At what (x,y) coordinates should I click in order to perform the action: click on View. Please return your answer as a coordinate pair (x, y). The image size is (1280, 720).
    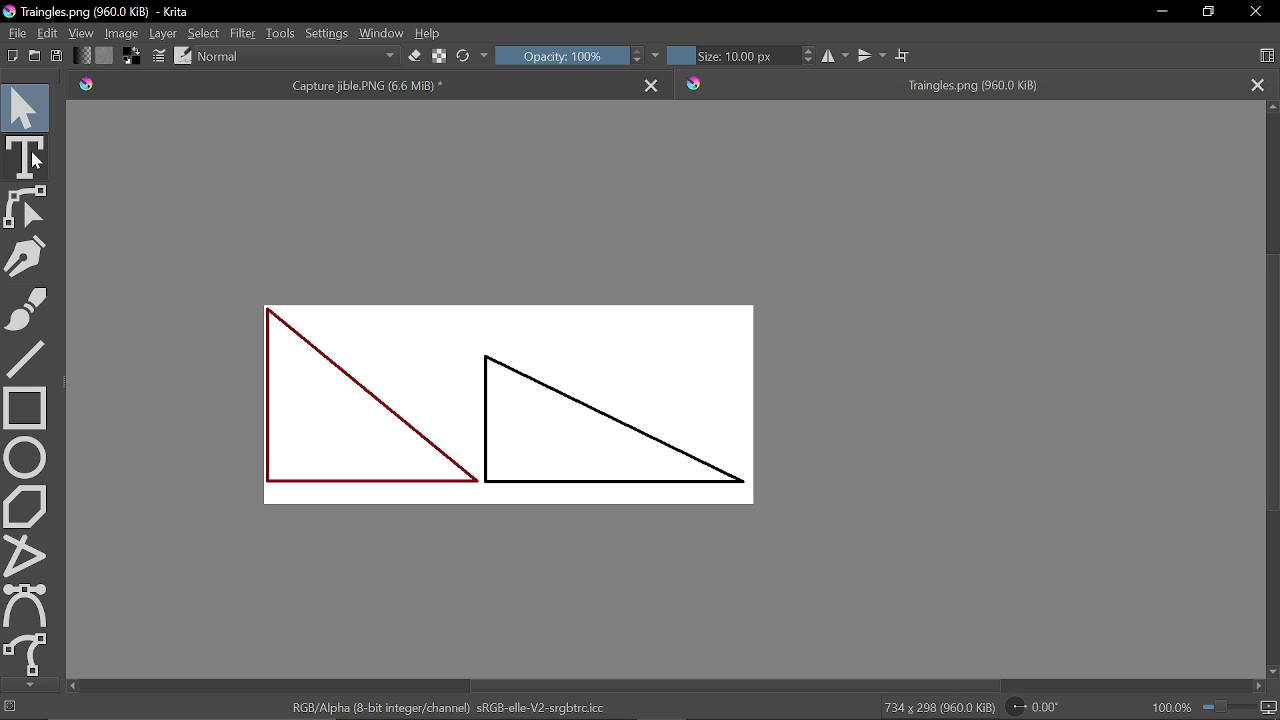
    Looking at the image, I should click on (80, 33).